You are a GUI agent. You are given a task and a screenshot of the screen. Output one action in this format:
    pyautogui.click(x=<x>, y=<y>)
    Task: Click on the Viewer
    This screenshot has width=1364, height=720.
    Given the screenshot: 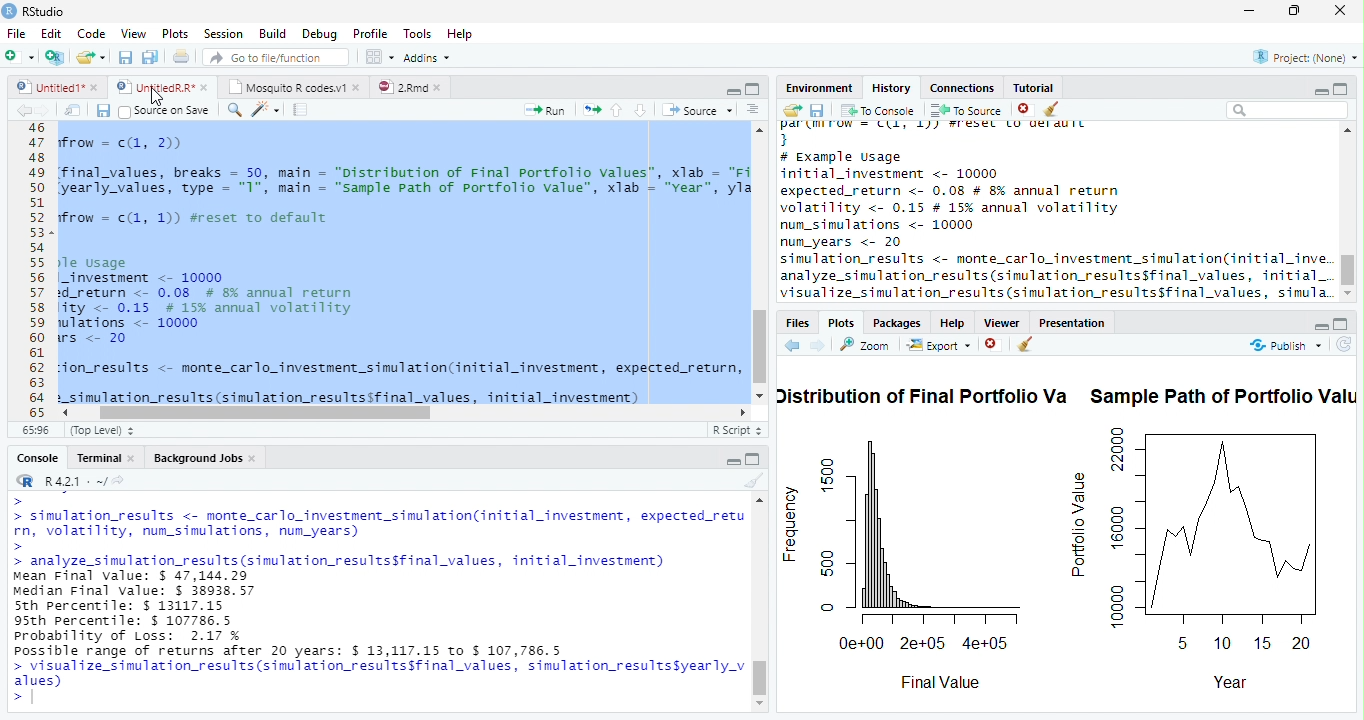 What is the action you would take?
    pyautogui.click(x=1003, y=320)
    